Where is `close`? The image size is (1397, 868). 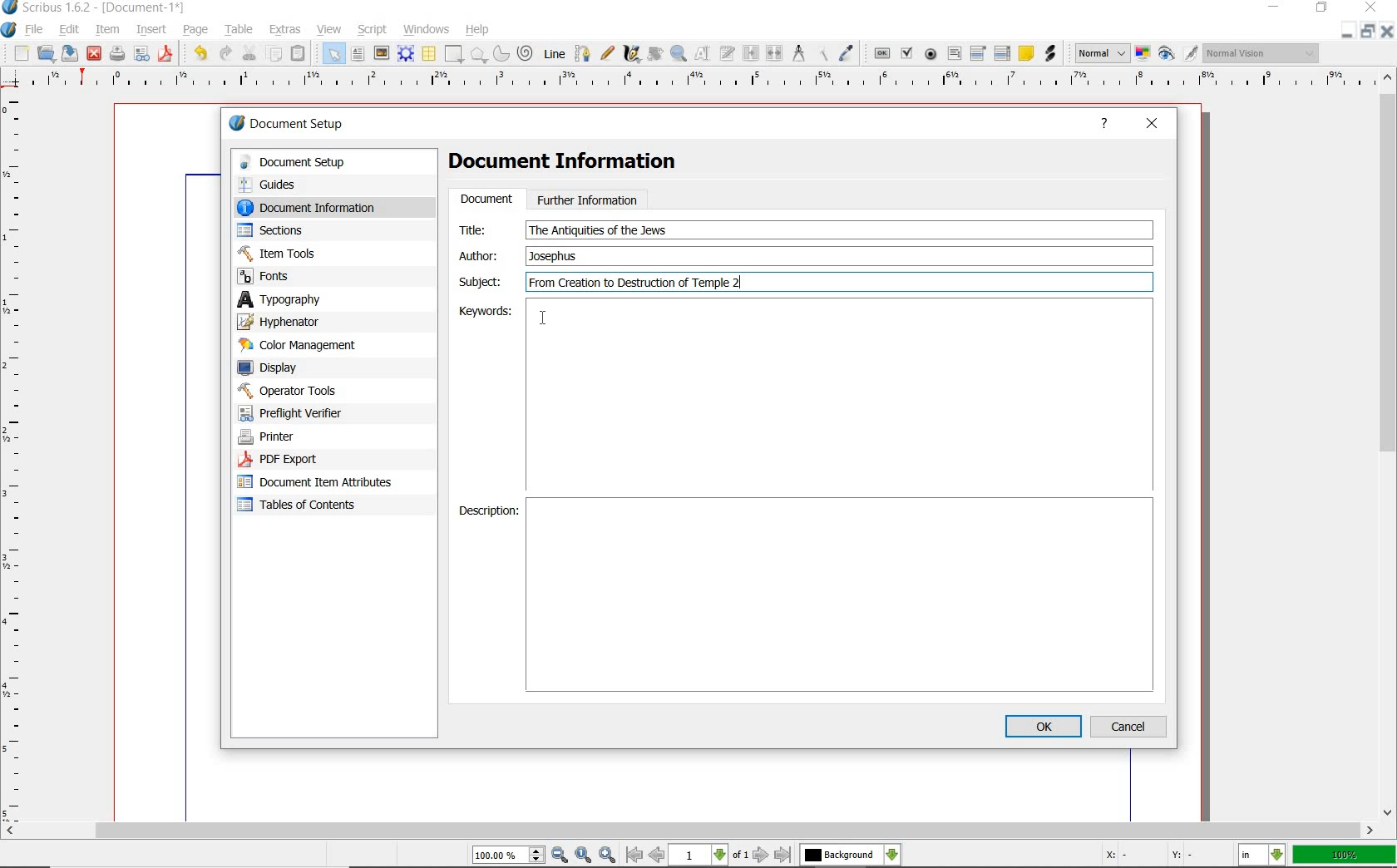
close is located at coordinates (1371, 7).